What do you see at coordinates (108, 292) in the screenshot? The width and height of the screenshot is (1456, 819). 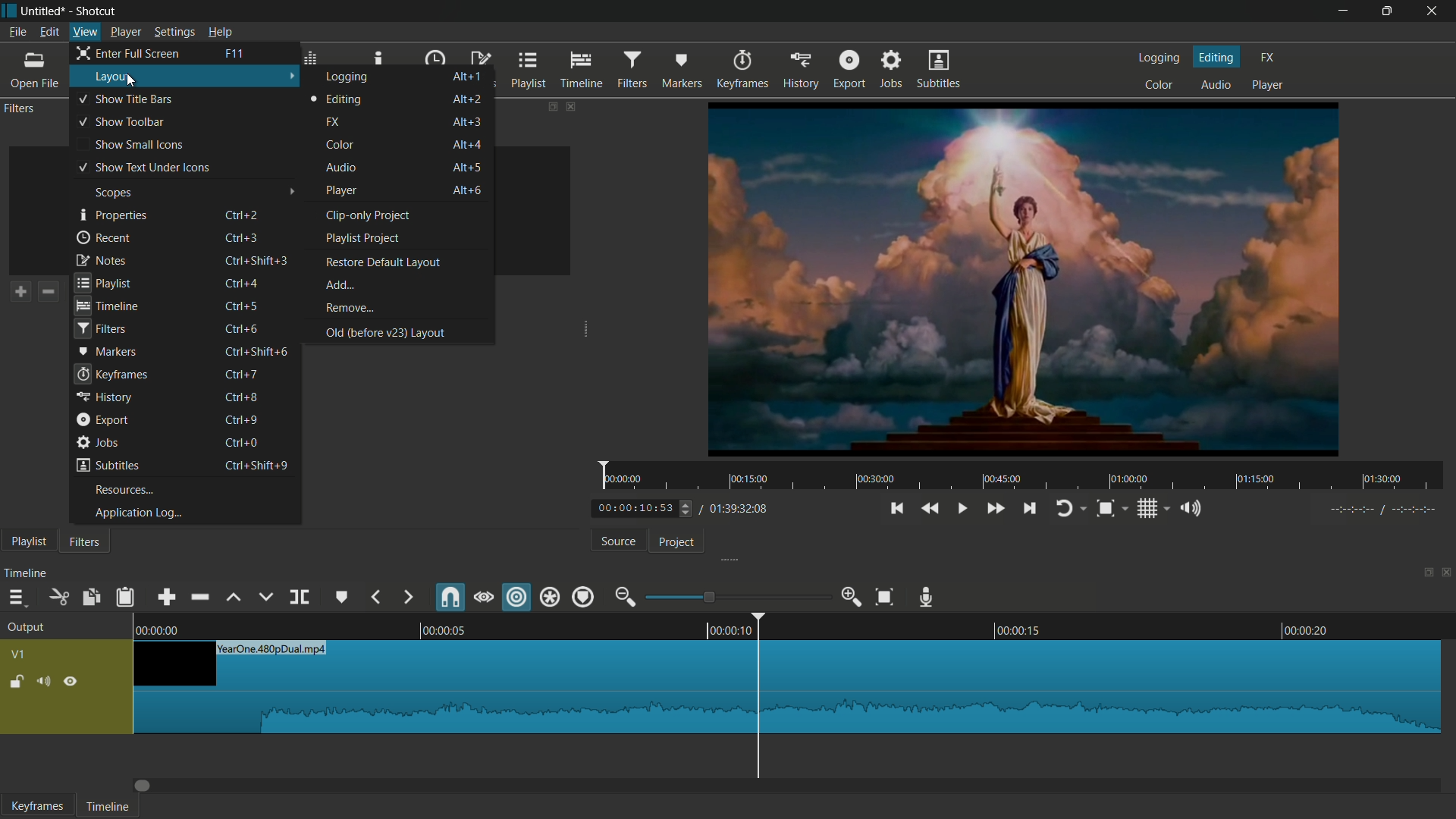 I see `paste filters` at bounding box center [108, 292].